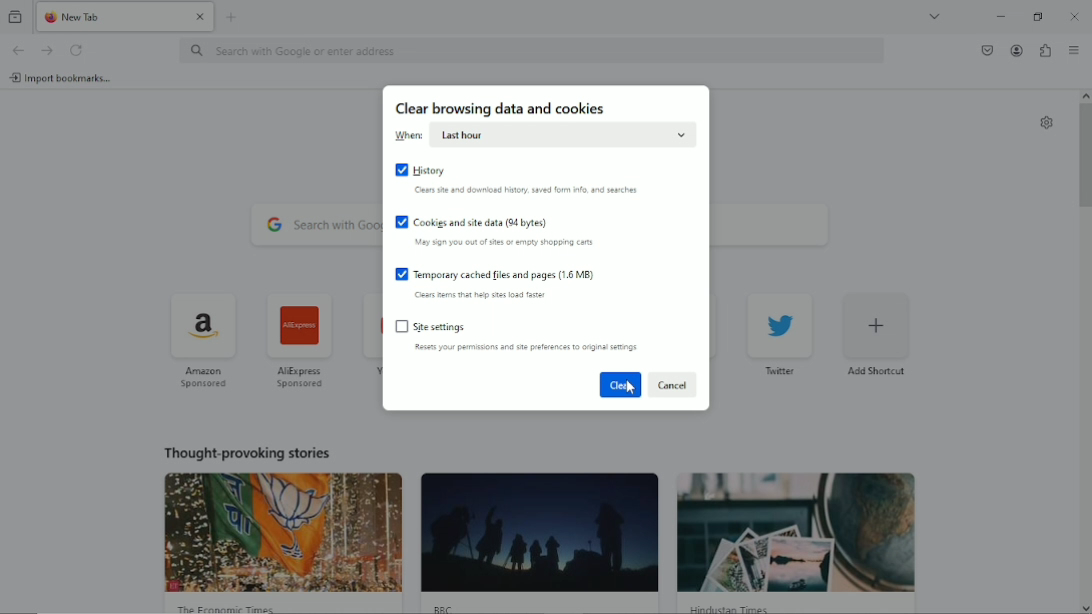 The width and height of the screenshot is (1092, 614). What do you see at coordinates (1014, 50) in the screenshot?
I see `account` at bounding box center [1014, 50].